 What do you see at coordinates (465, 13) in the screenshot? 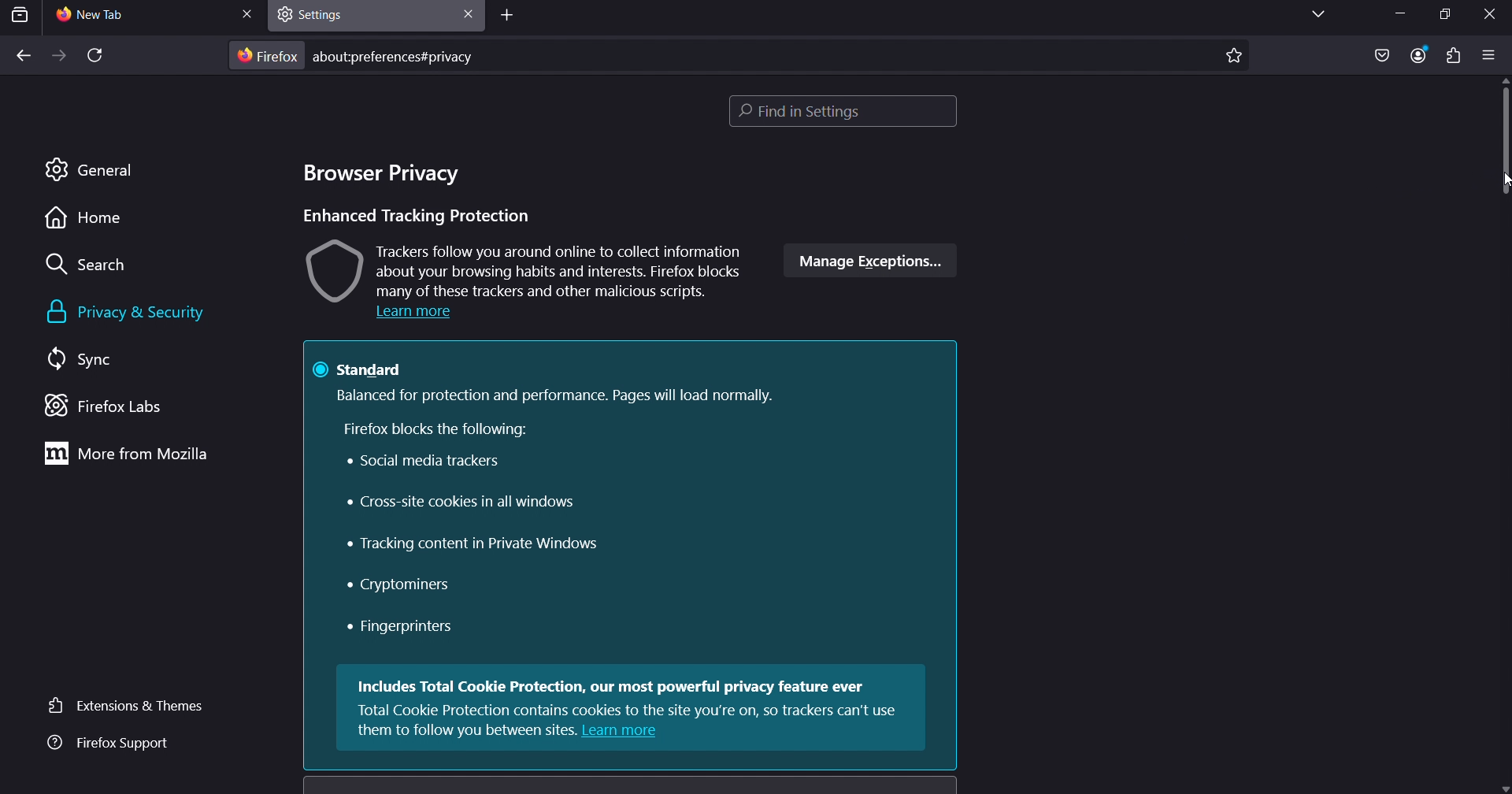
I see `close tab` at bounding box center [465, 13].